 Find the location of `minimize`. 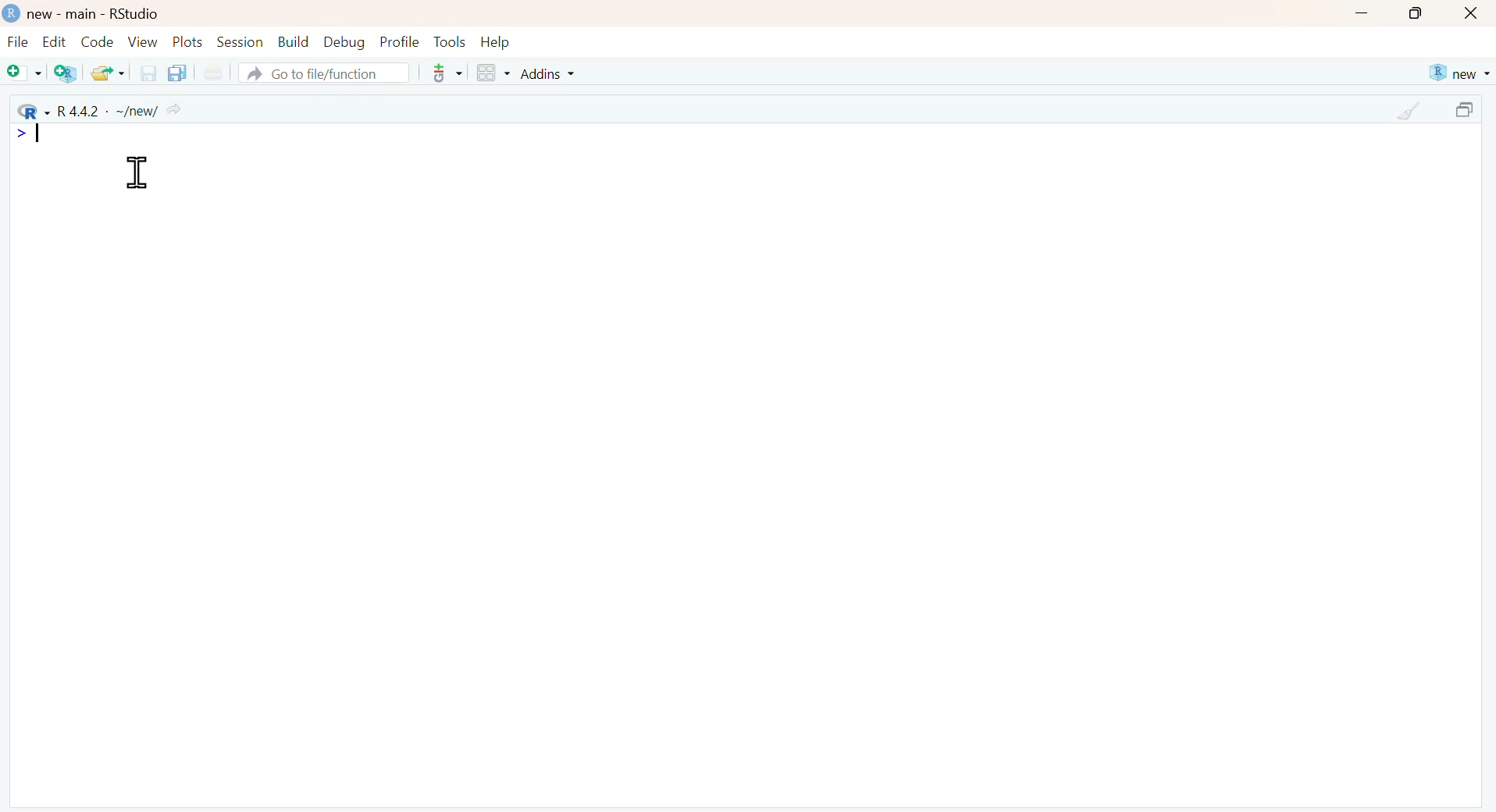

minimize is located at coordinates (1361, 15).